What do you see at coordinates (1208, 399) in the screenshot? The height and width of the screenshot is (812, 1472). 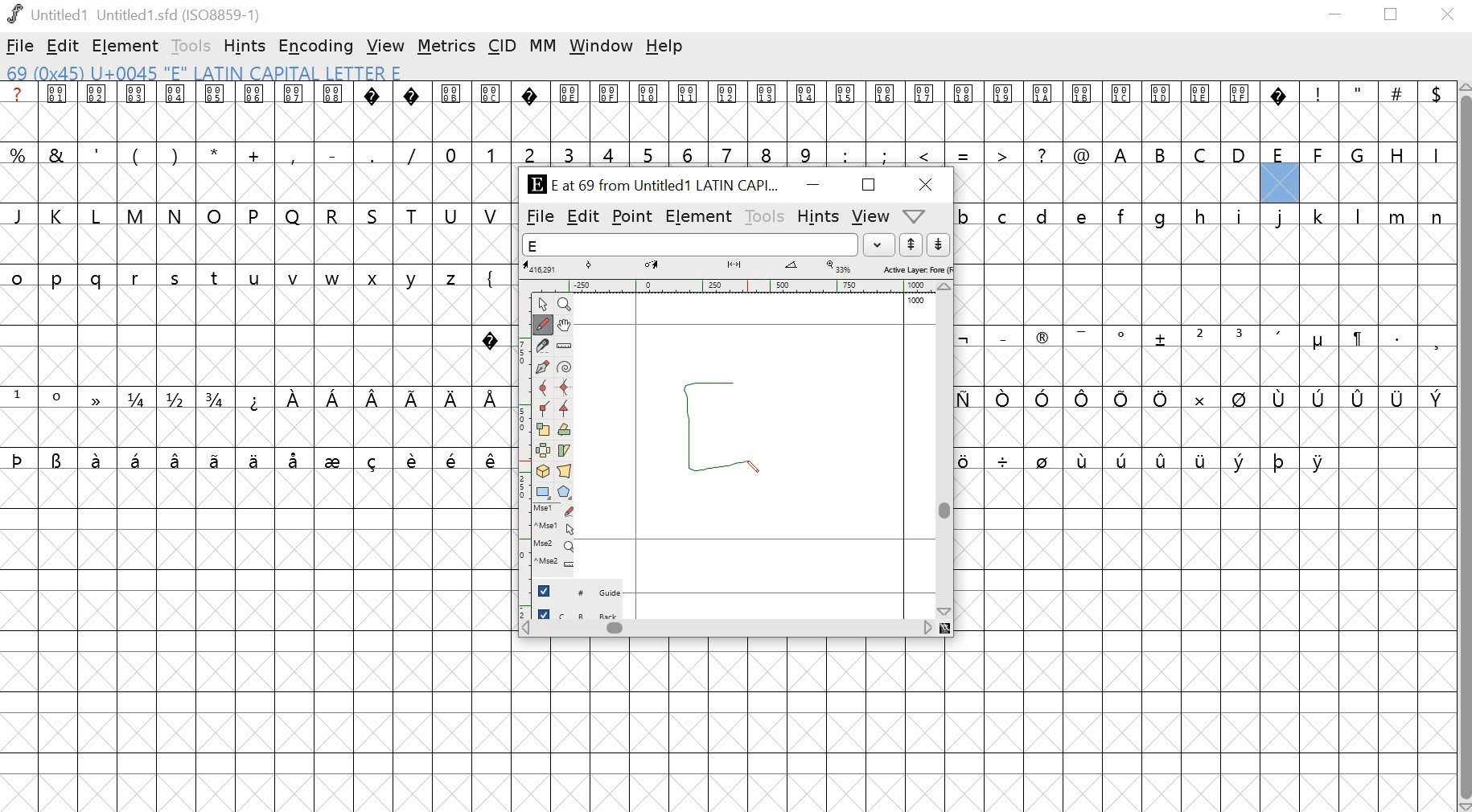 I see `special characters` at bounding box center [1208, 399].